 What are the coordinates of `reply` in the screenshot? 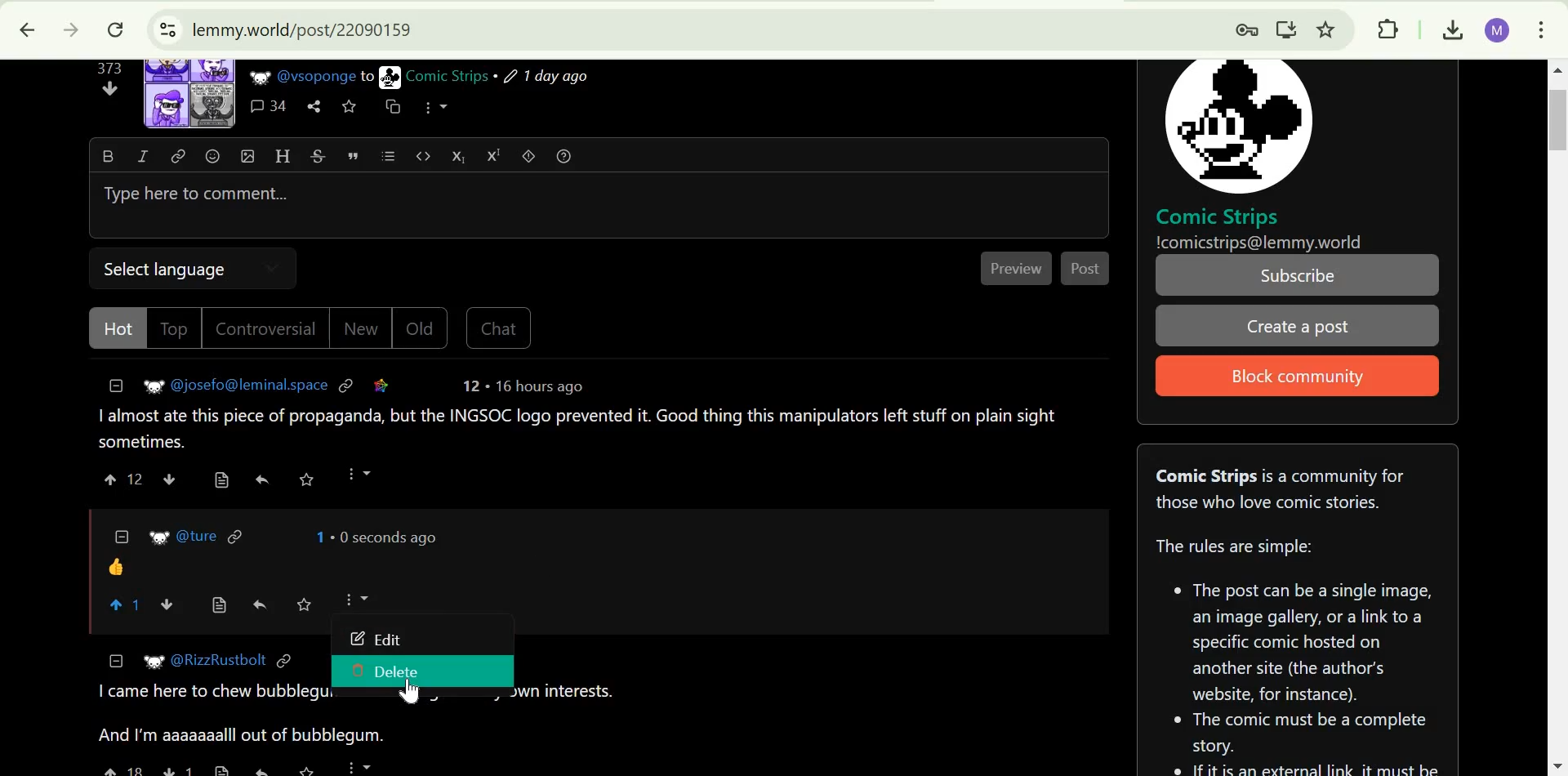 It's located at (261, 479).